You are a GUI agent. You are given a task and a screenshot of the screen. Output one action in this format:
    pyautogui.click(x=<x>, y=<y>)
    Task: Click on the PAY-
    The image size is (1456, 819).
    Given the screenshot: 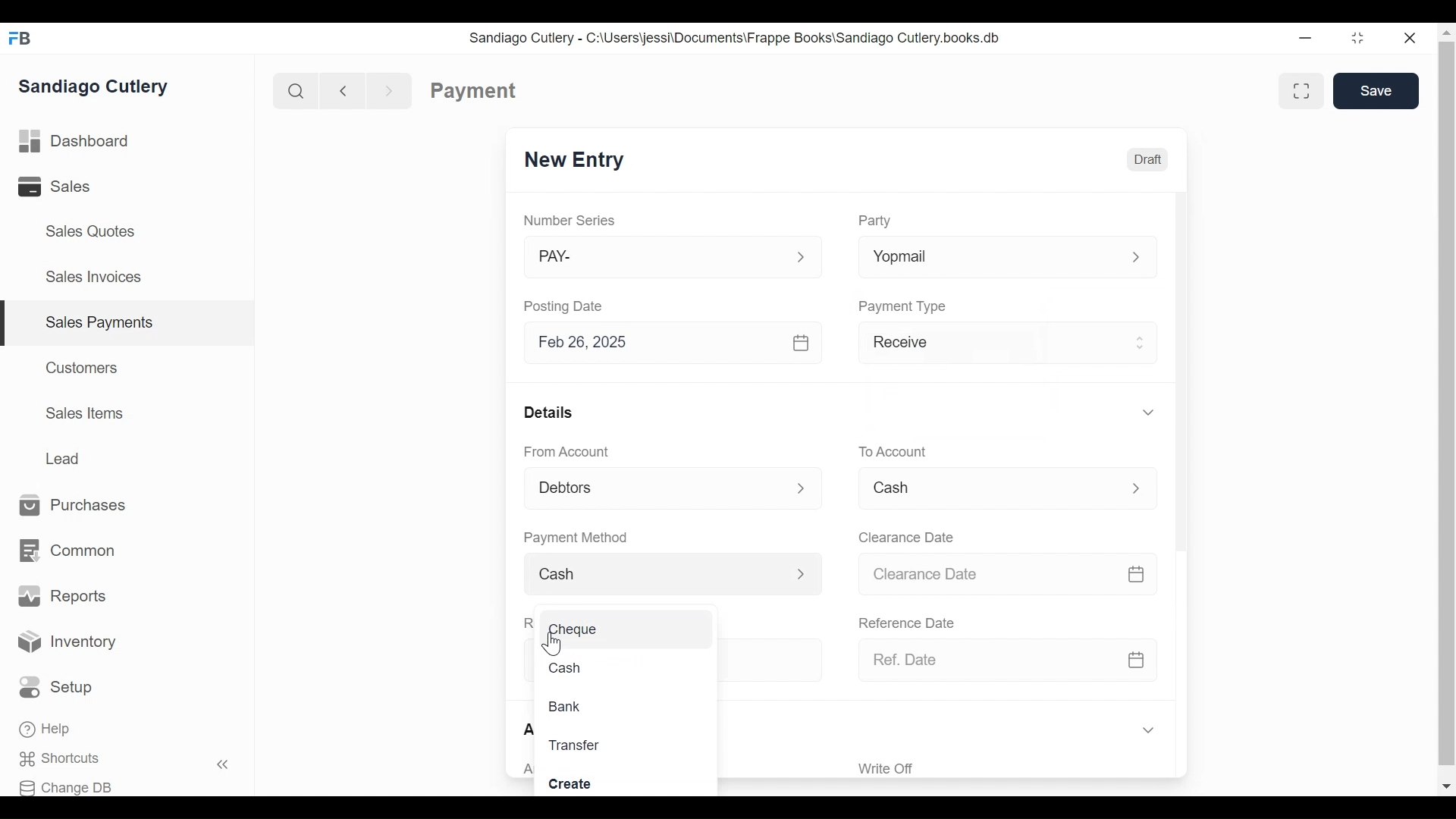 What is the action you would take?
    pyautogui.click(x=658, y=259)
    